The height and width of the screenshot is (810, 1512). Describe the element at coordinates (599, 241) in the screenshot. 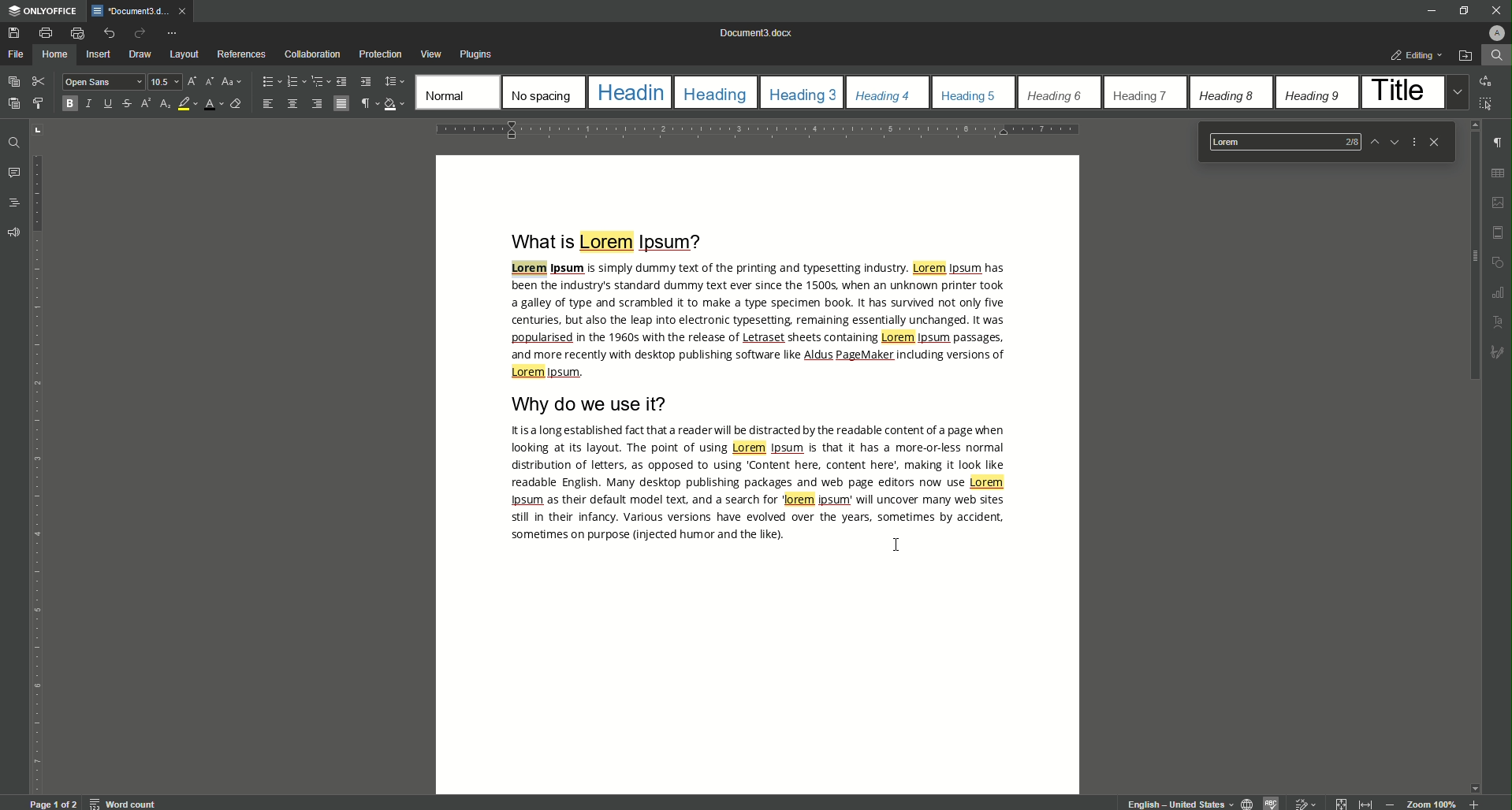

I see `What is Lorem Ipsum?` at that location.